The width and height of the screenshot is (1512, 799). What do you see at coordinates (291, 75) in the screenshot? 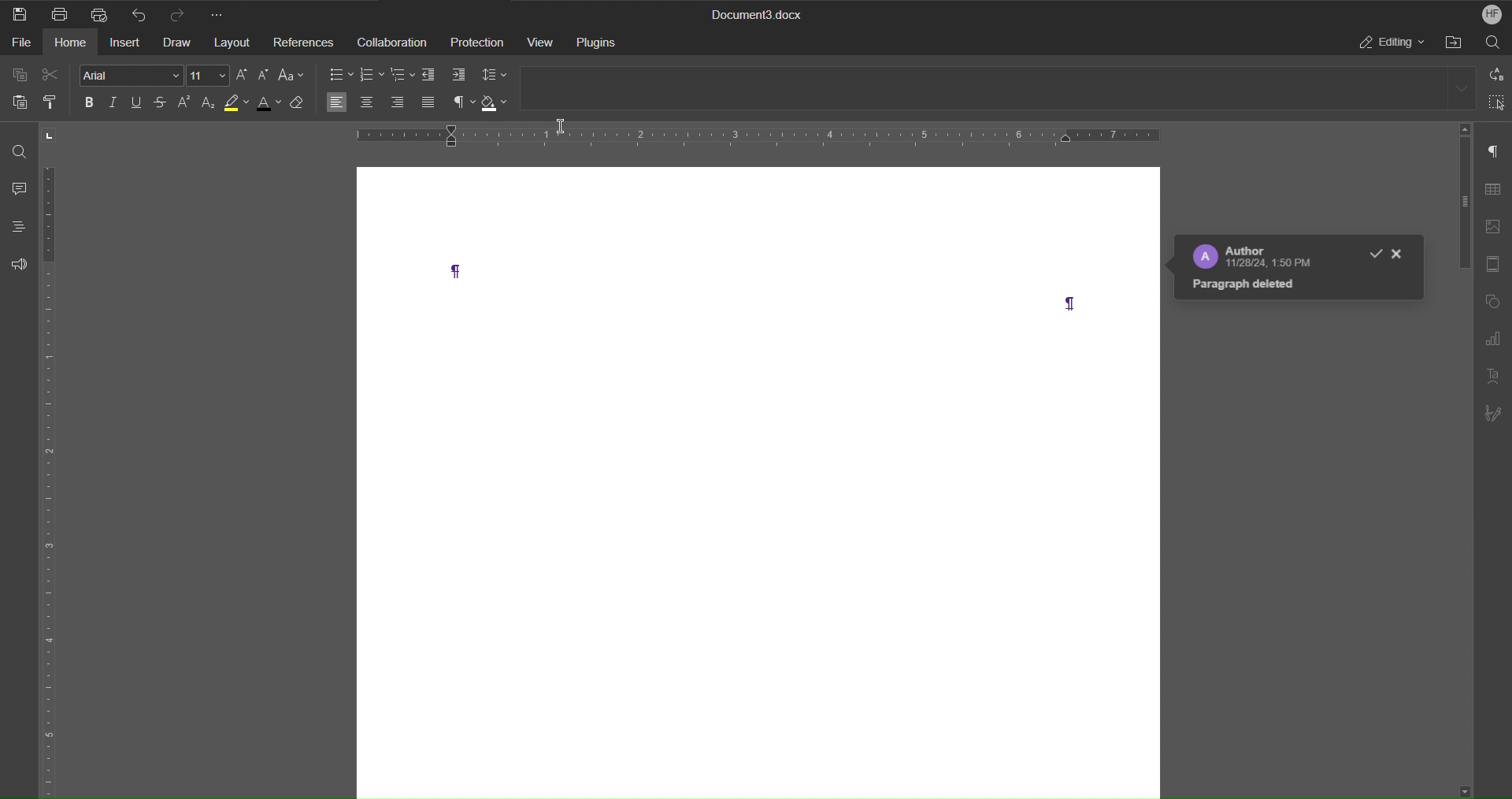
I see `Text Case Settings` at bounding box center [291, 75].